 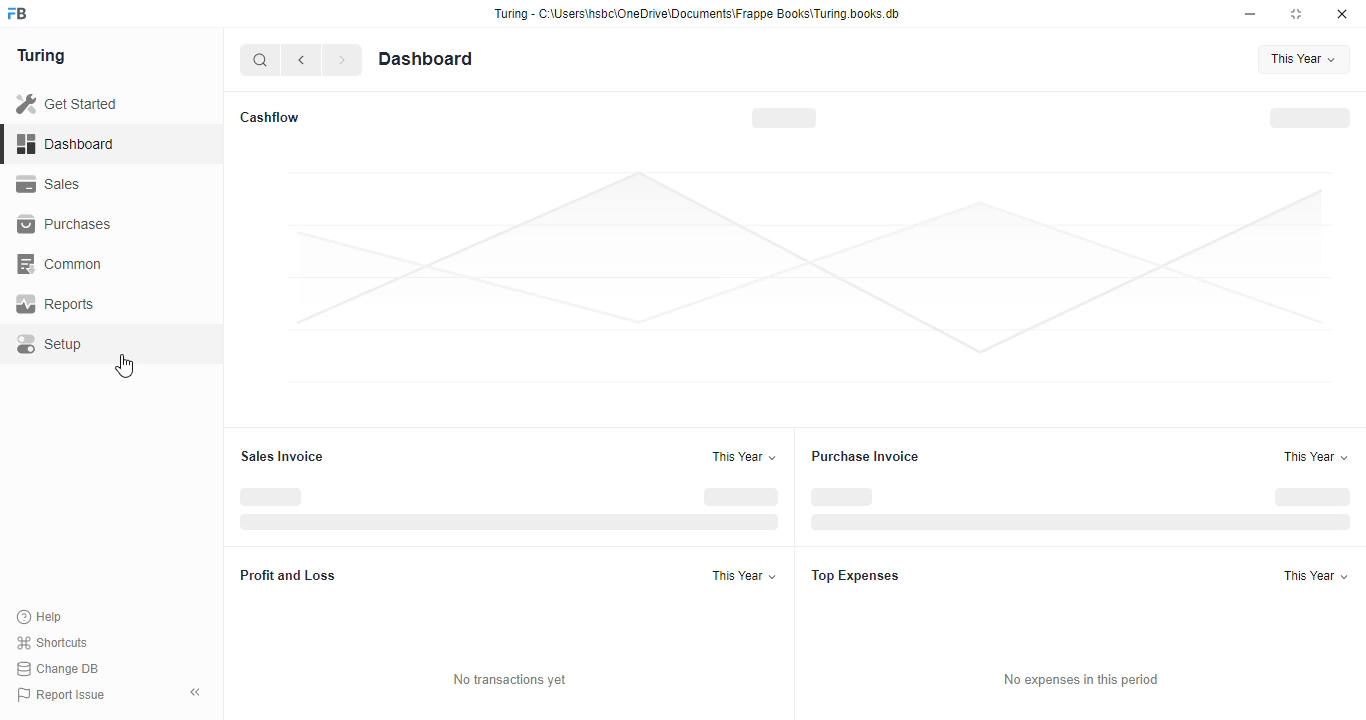 I want to click on change DB, so click(x=57, y=669).